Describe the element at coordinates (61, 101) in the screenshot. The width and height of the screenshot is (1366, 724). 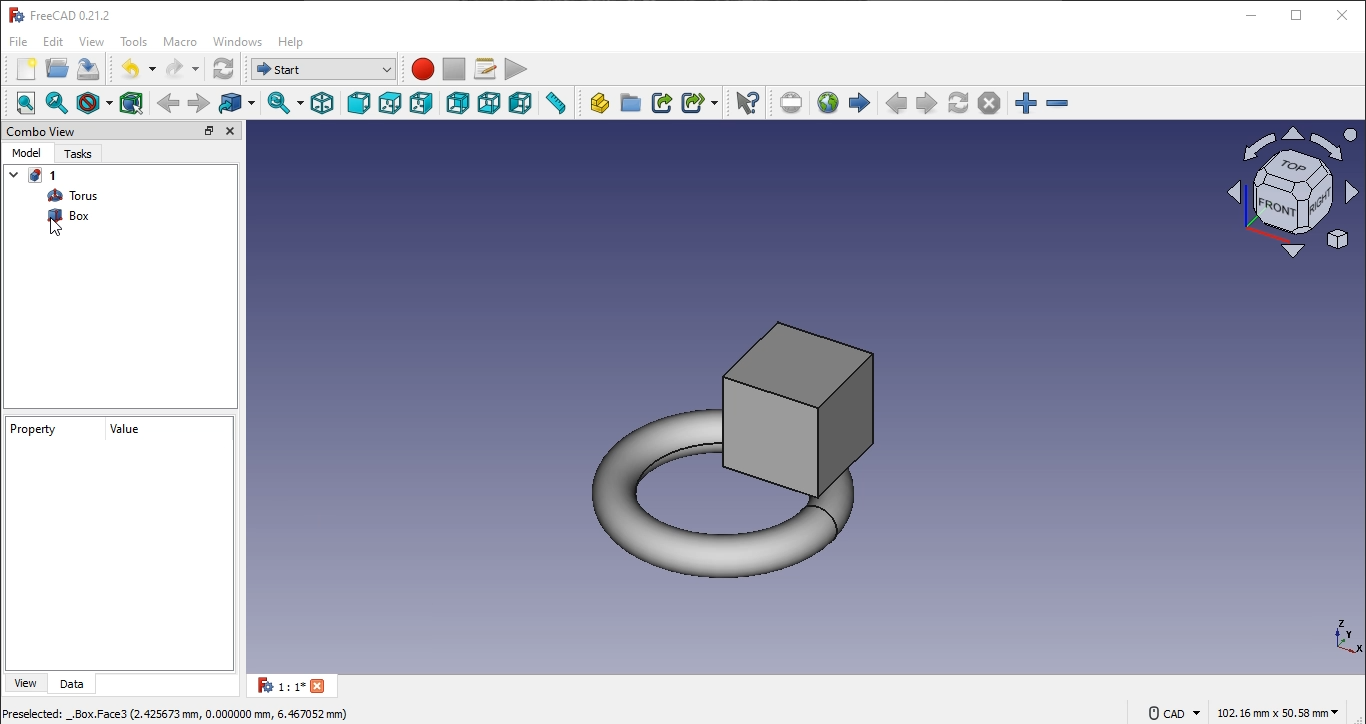
I see `fit selection` at that location.